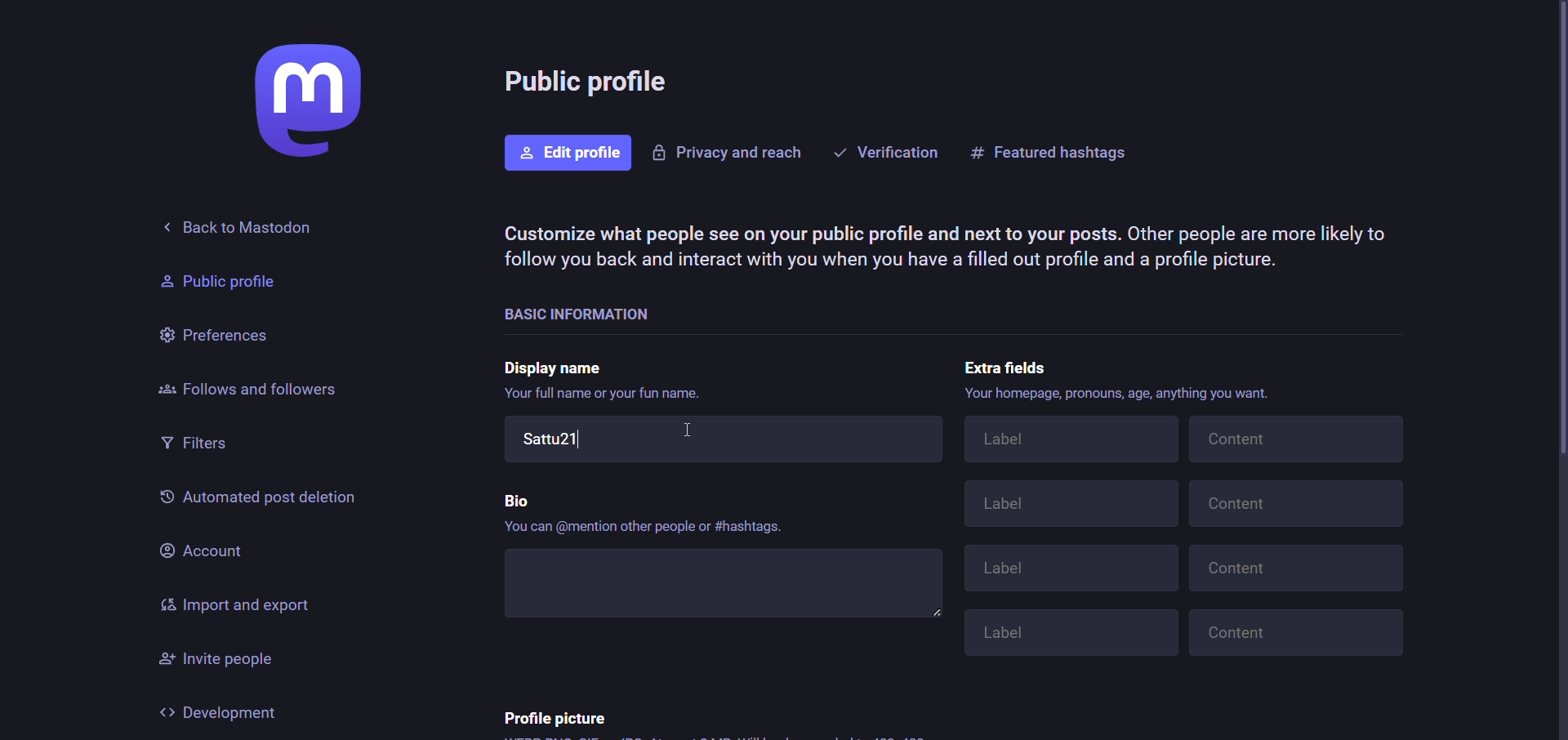 Image resolution: width=1568 pixels, height=740 pixels. Describe the element at coordinates (227, 660) in the screenshot. I see `invite people` at that location.